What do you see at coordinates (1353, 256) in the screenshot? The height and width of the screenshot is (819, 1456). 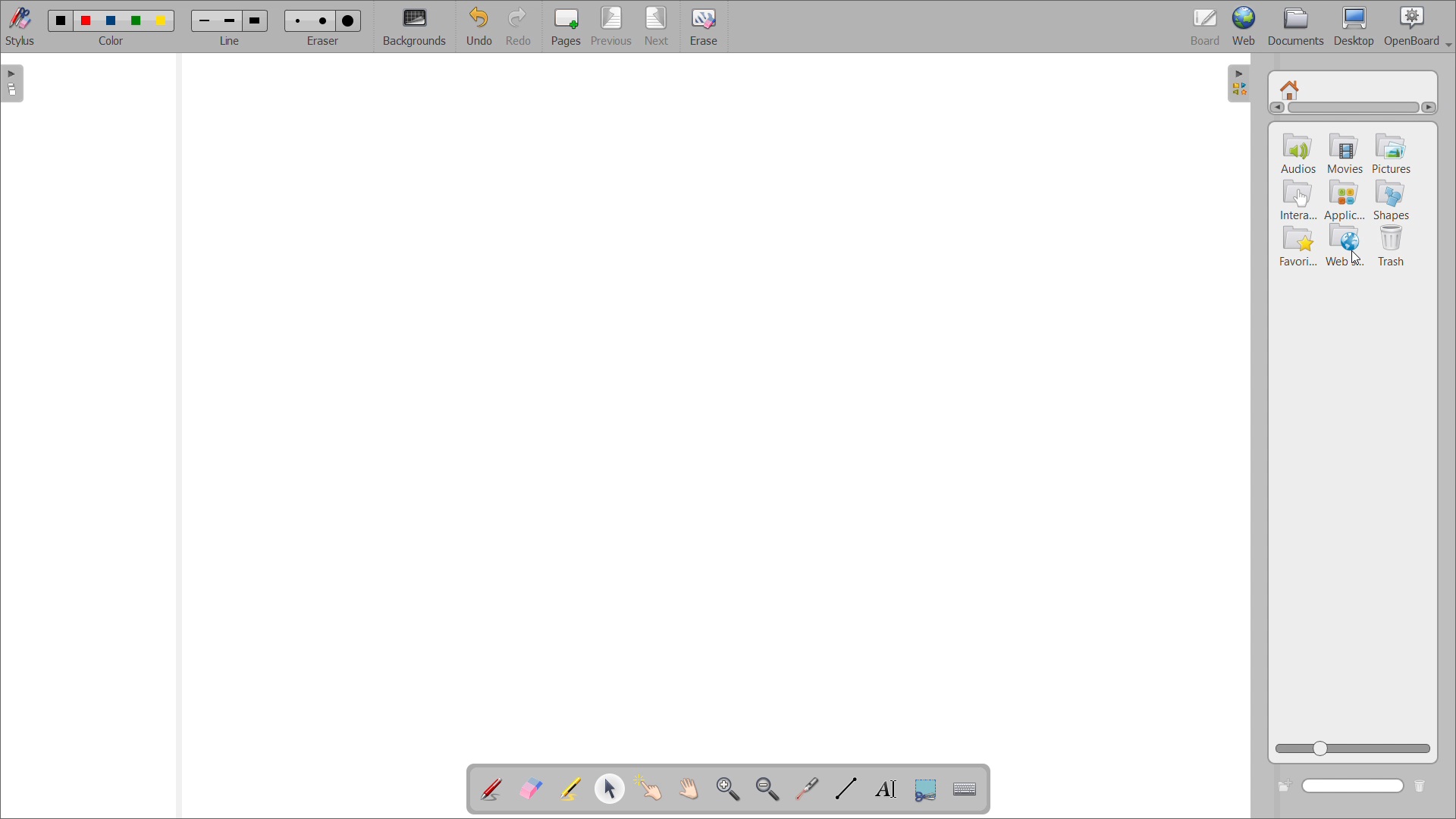 I see `Cursor` at bounding box center [1353, 256].